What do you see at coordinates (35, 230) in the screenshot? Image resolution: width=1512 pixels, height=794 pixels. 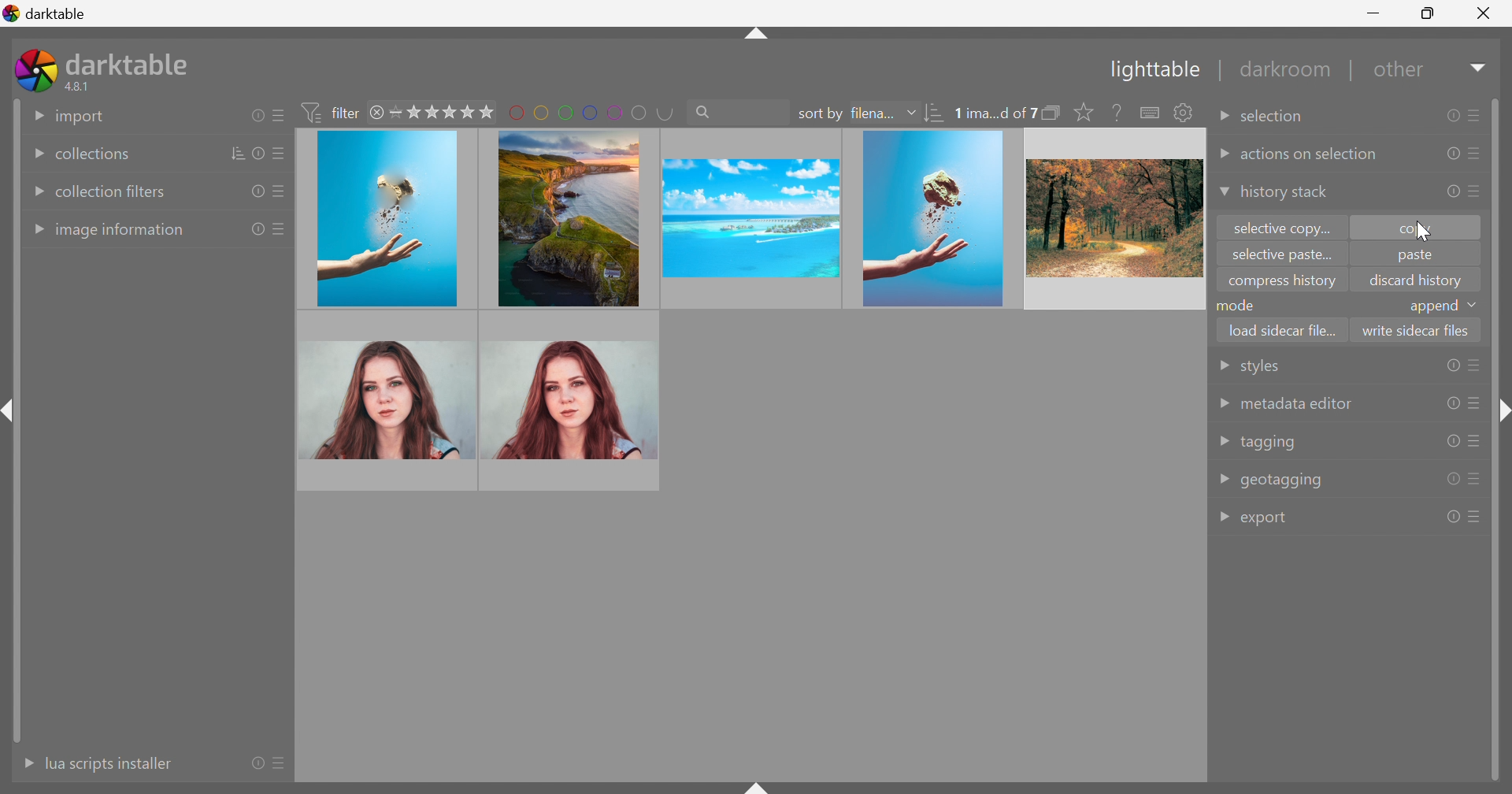 I see `Drop Down` at bounding box center [35, 230].